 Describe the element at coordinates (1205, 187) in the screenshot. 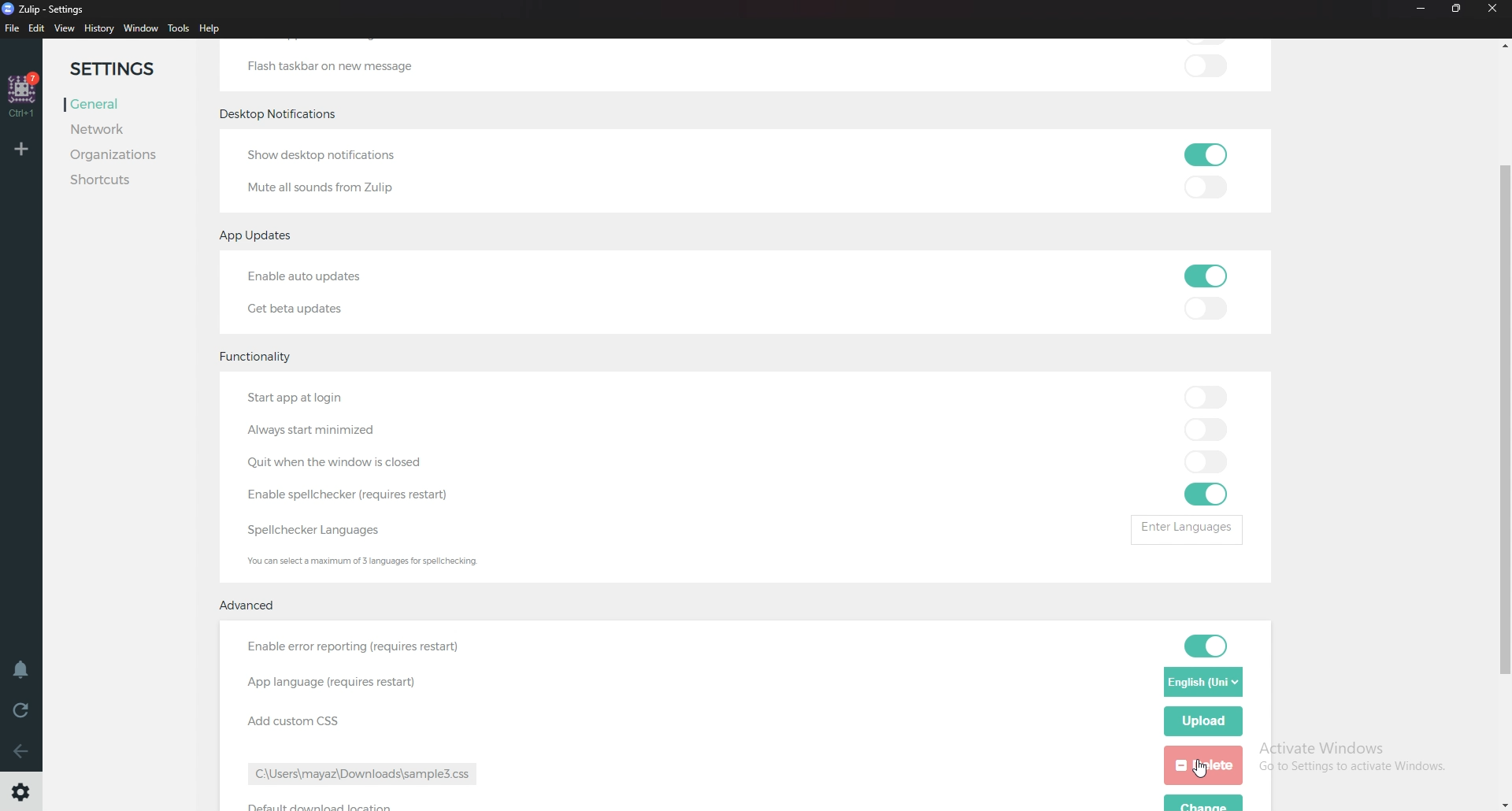

I see `toggle` at that location.